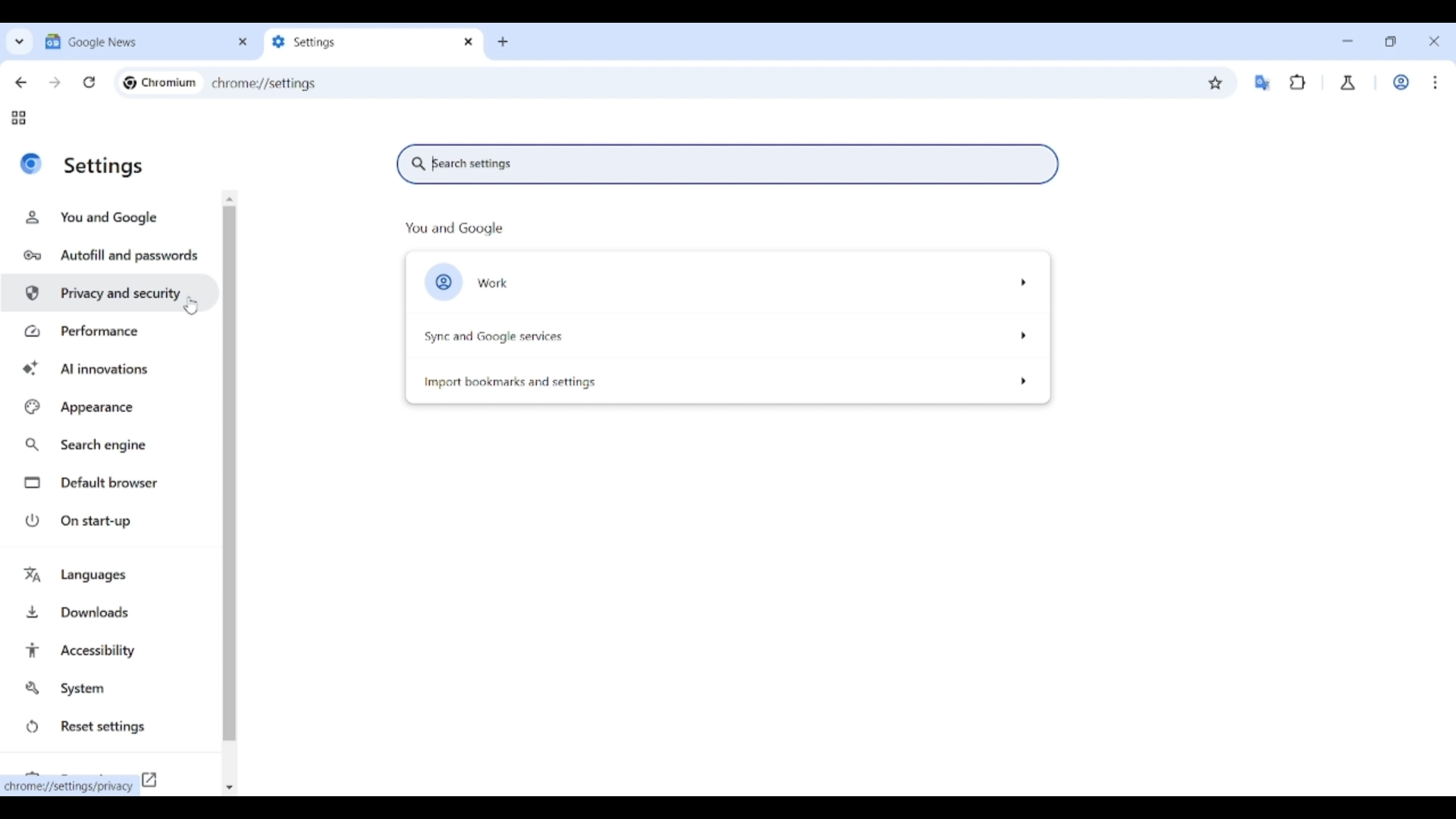 This screenshot has height=819, width=1456. I want to click on Bookmark this tab, so click(1216, 83).